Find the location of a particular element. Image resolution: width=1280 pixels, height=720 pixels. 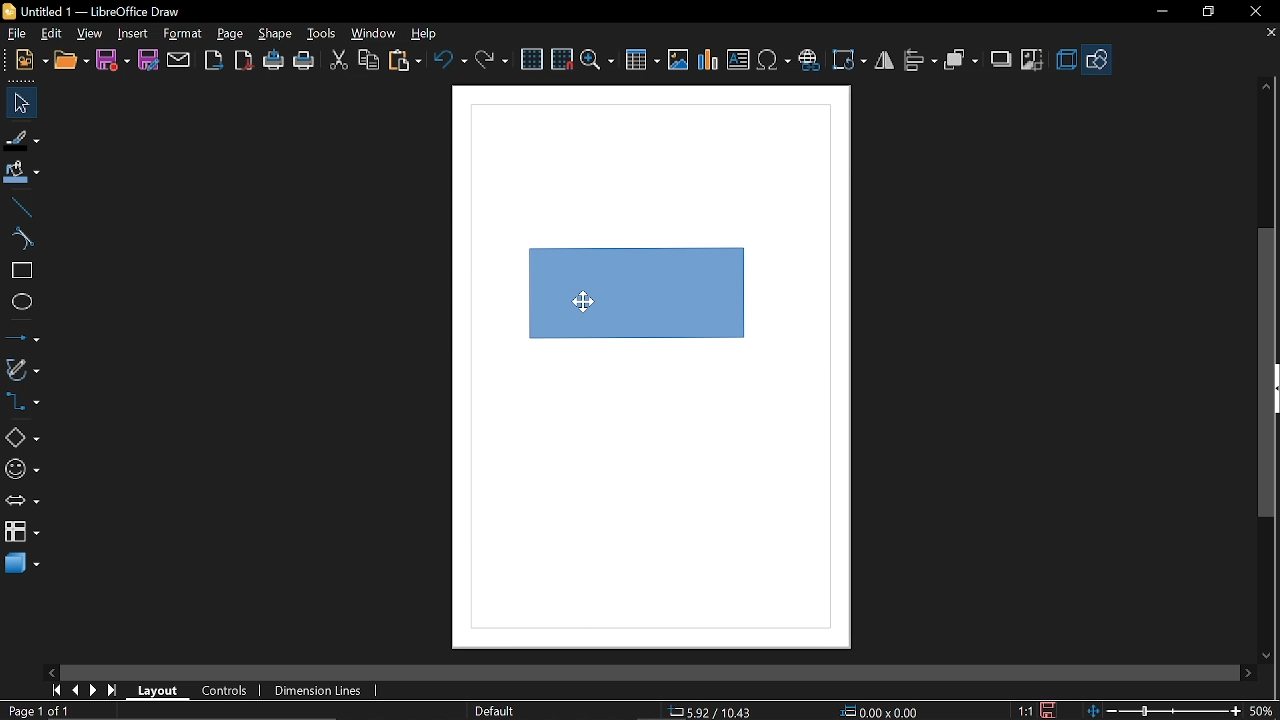

Page is located at coordinates (230, 34).